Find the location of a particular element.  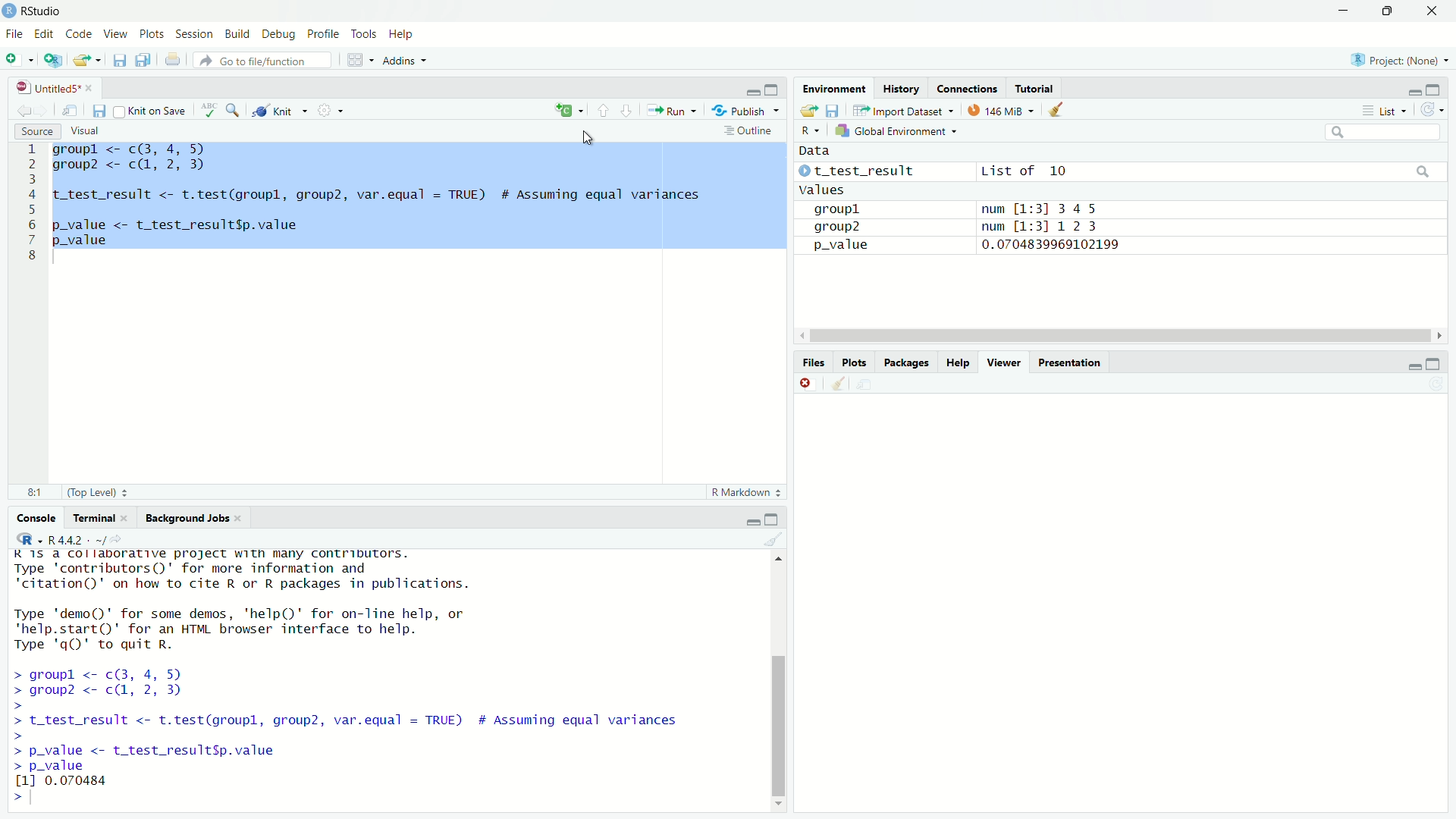

OPEN AN EXISTING FILE is located at coordinates (86, 60).